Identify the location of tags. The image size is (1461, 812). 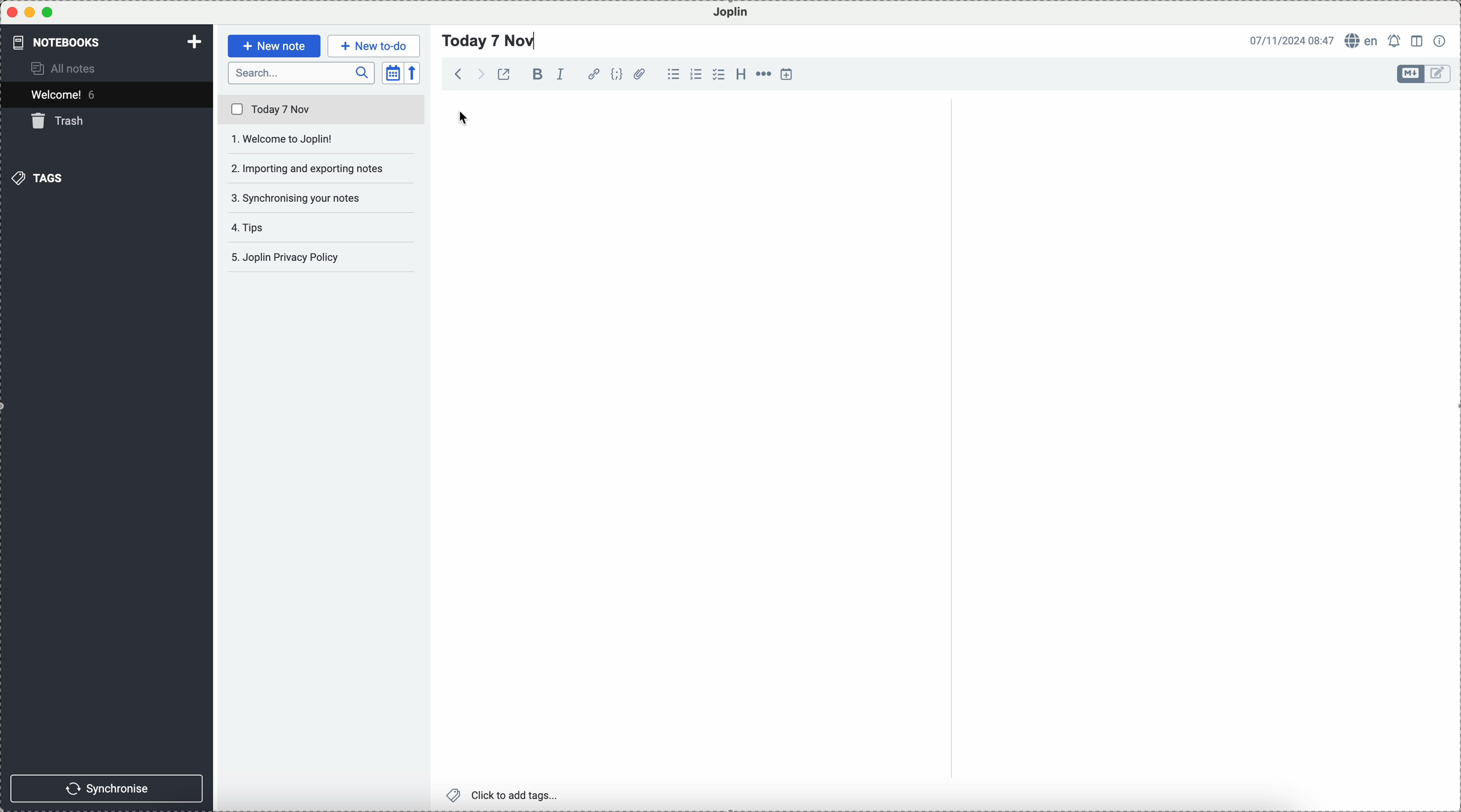
(37, 178).